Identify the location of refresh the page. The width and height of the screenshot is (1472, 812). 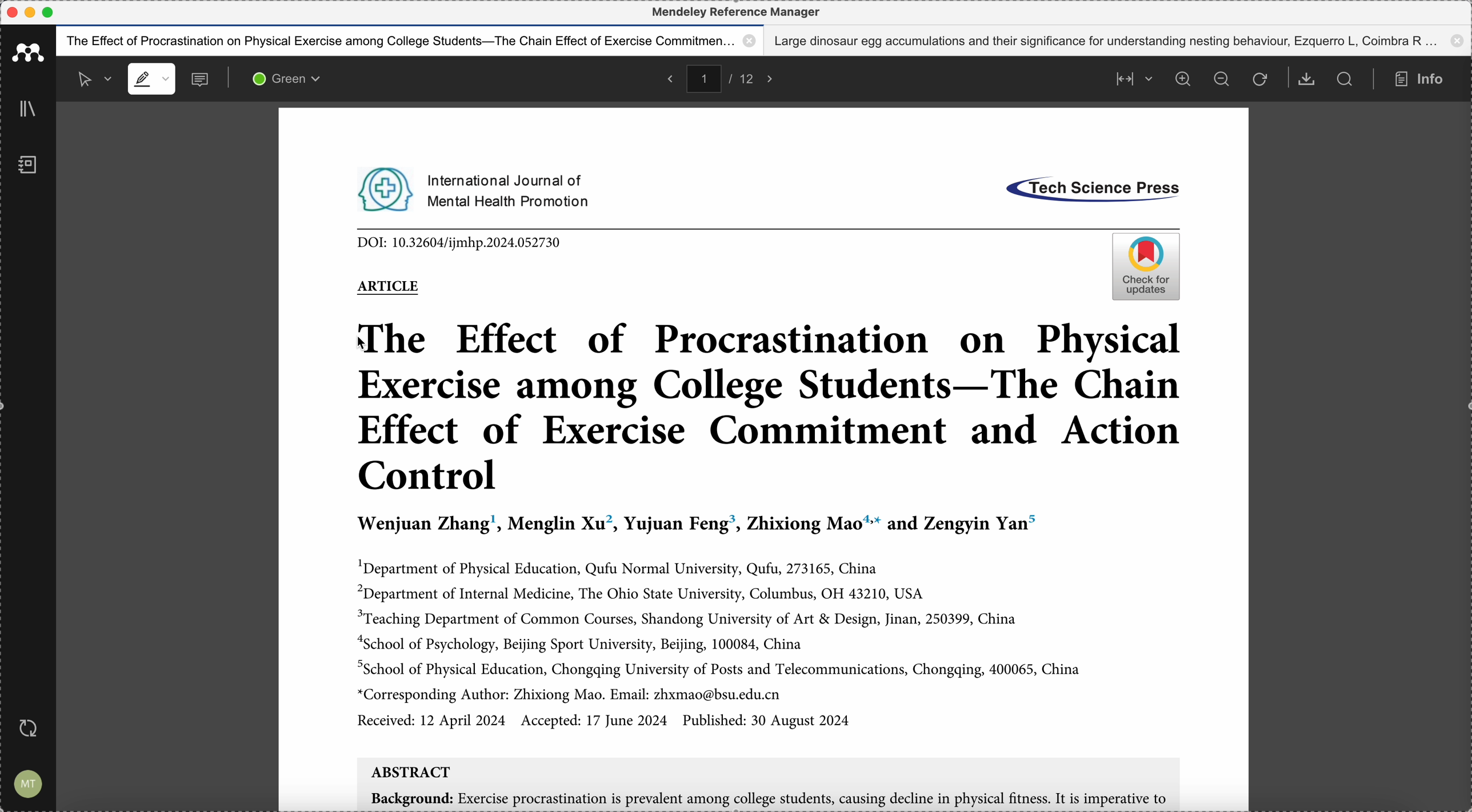
(1259, 80).